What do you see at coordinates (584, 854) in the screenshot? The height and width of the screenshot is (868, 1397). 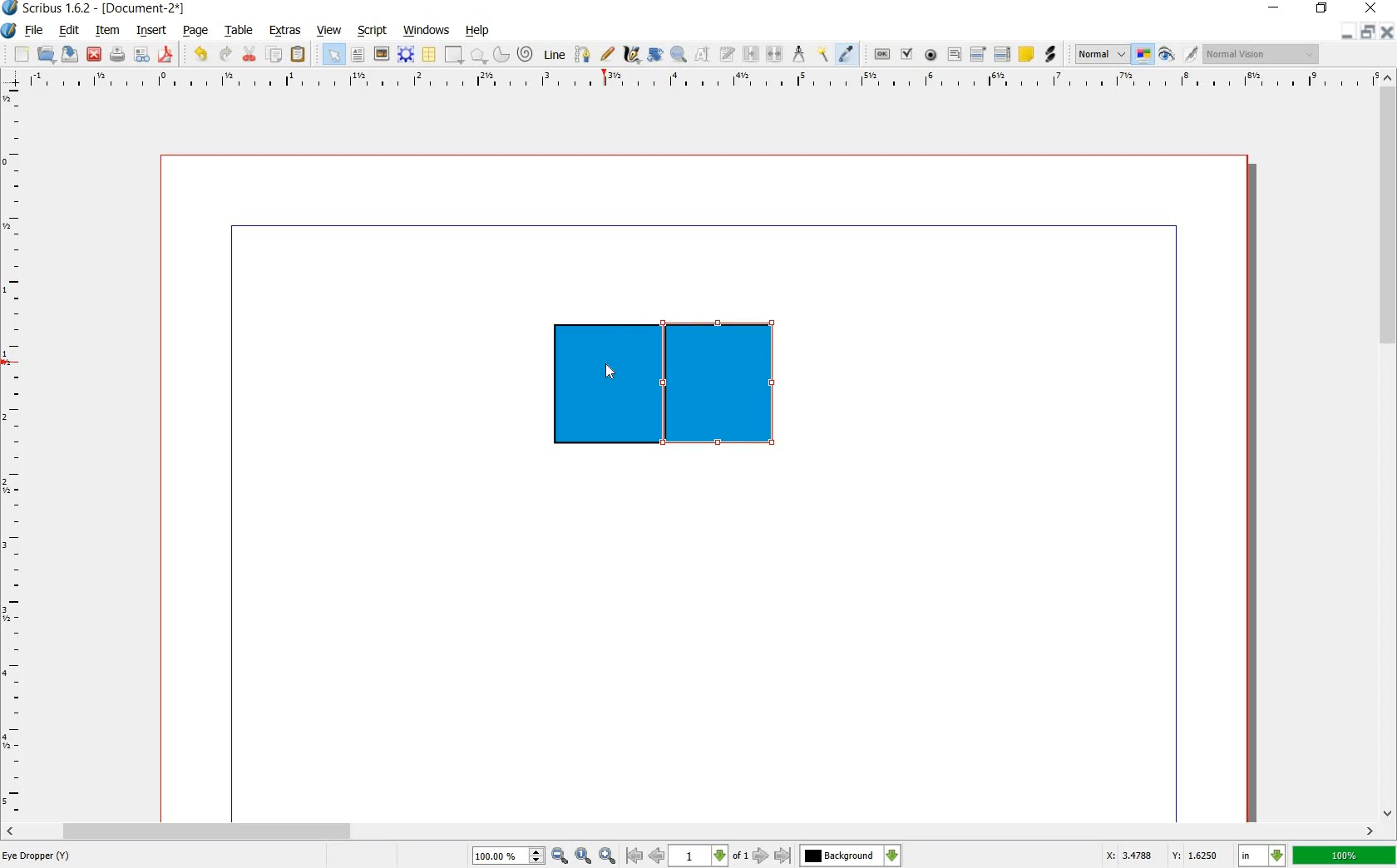 I see `zoom to` at bounding box center [584, 854].